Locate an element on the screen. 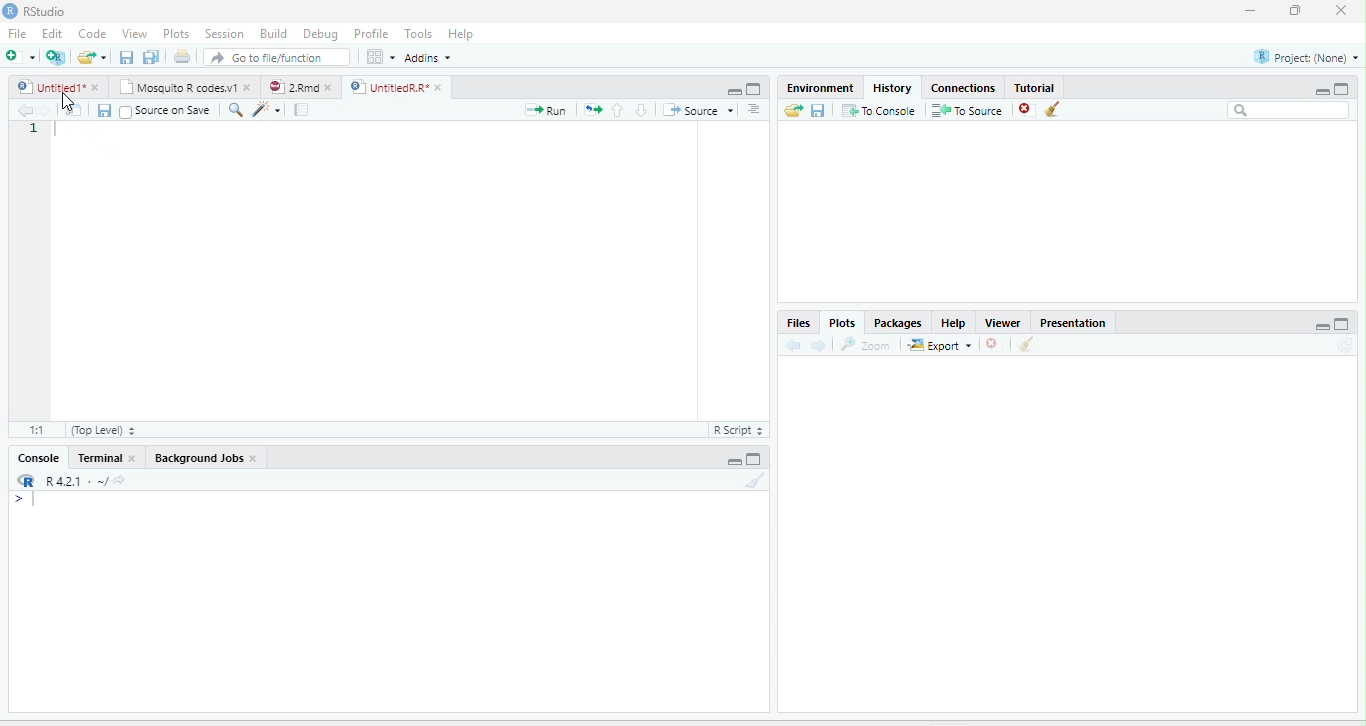 Image resolution: width=1366 pixels, height=726 pixels. Maximize is located at coordinates (1342, 88).